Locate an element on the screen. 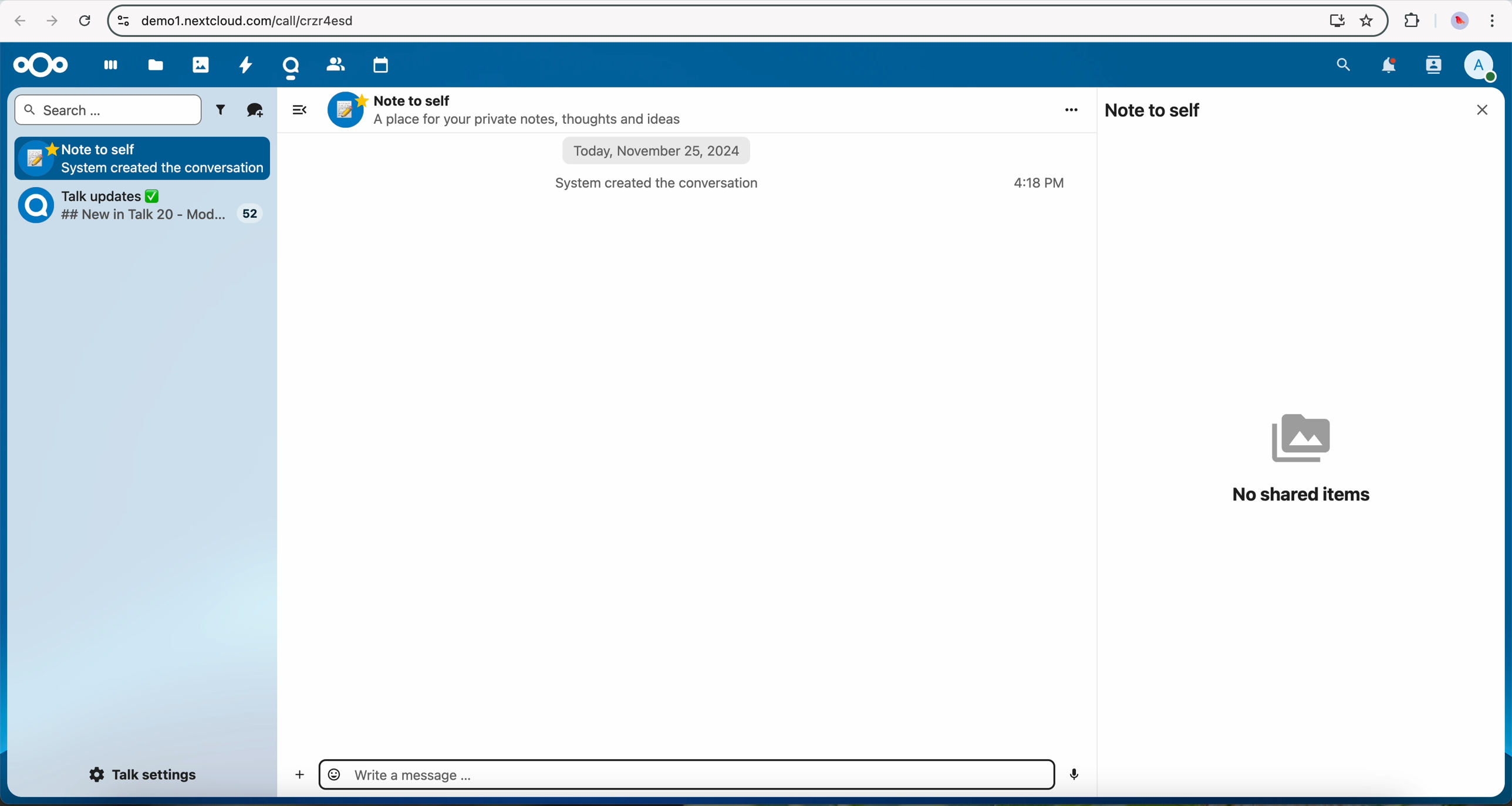  Note to self is located at coordinates (144, 157).